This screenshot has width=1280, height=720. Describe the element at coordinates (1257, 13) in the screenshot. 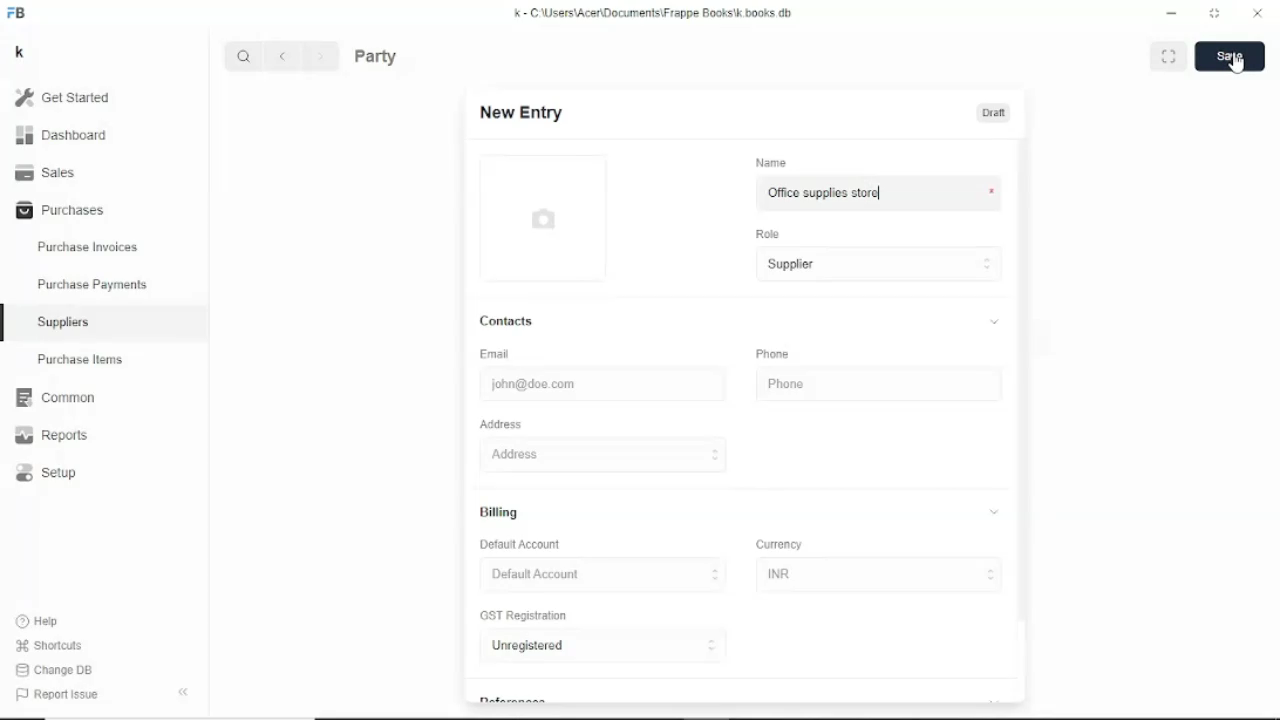

I see `Close` at that location.